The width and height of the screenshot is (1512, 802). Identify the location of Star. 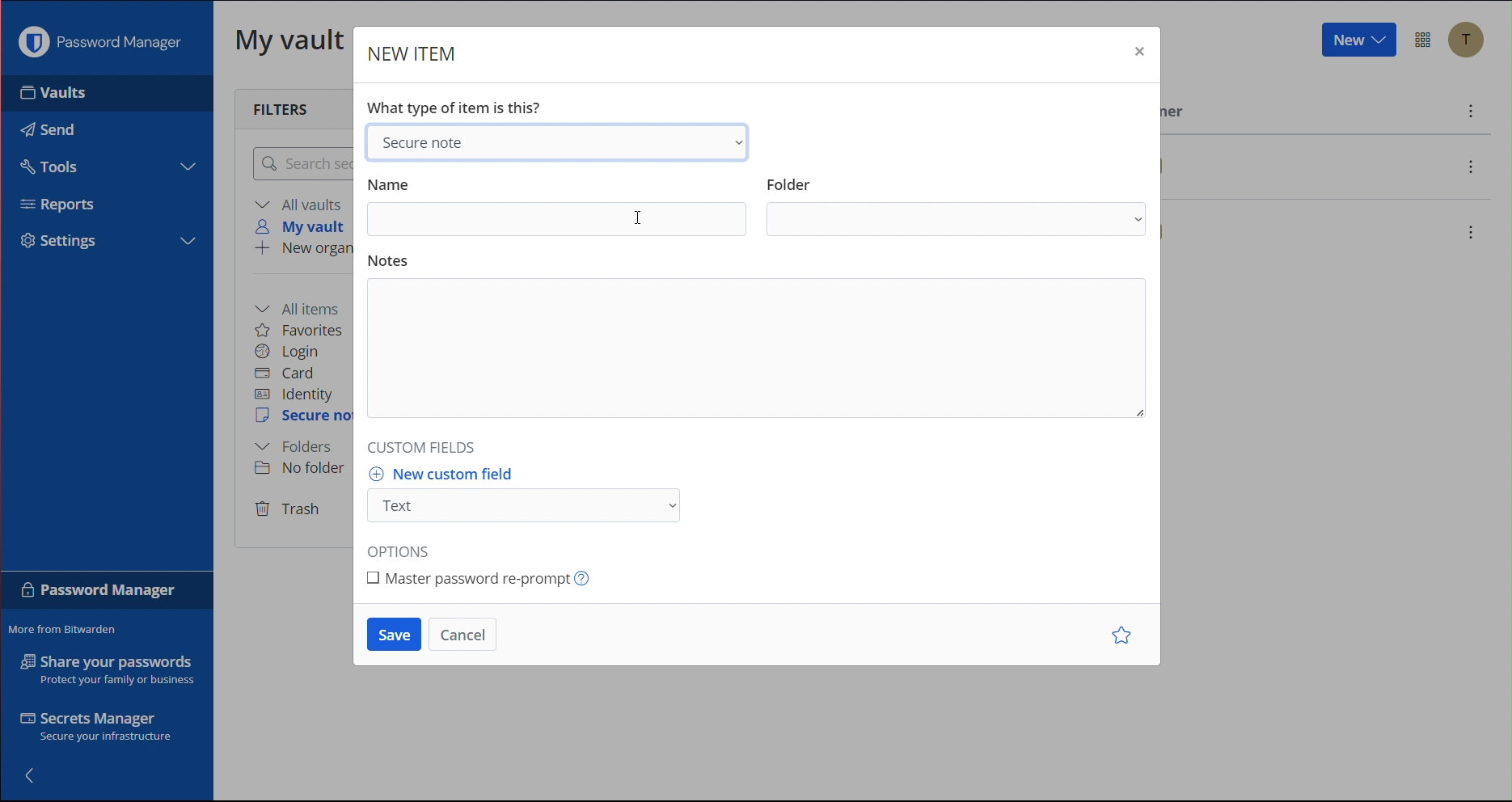
(1118, 635).